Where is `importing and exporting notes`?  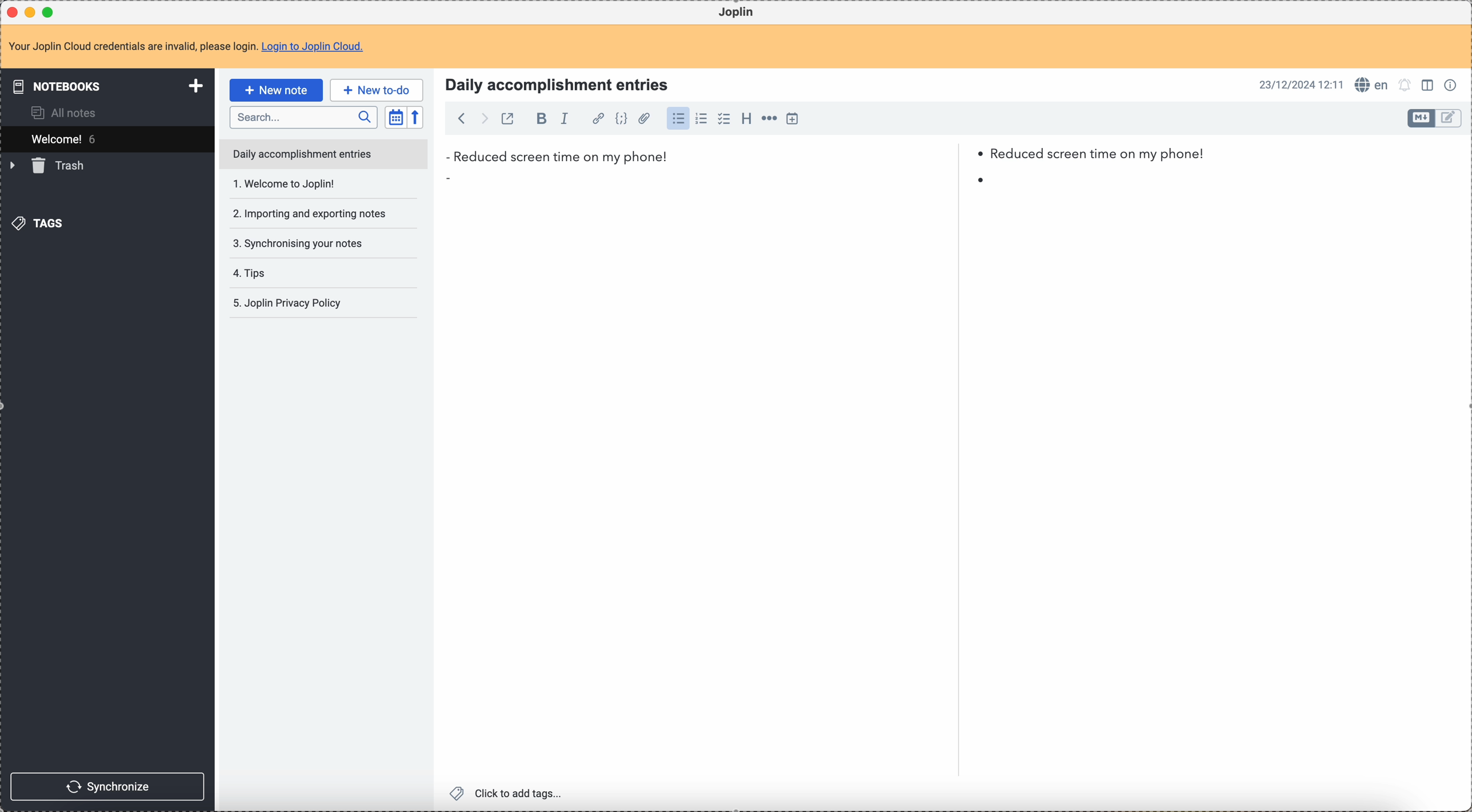 importing and exporting notes is located at coordinates (309, 183).